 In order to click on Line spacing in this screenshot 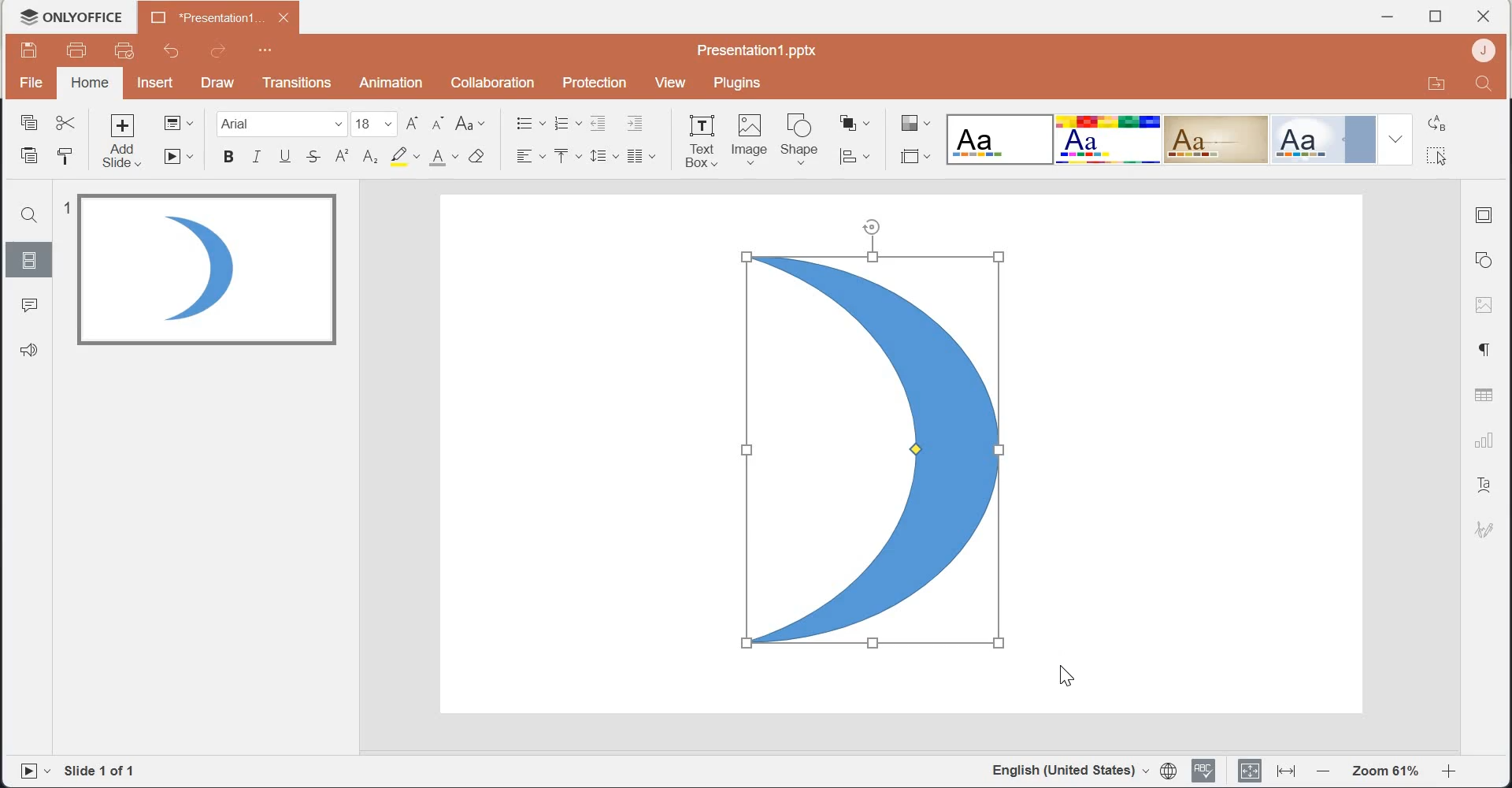, I will do `click(605, 157)`.